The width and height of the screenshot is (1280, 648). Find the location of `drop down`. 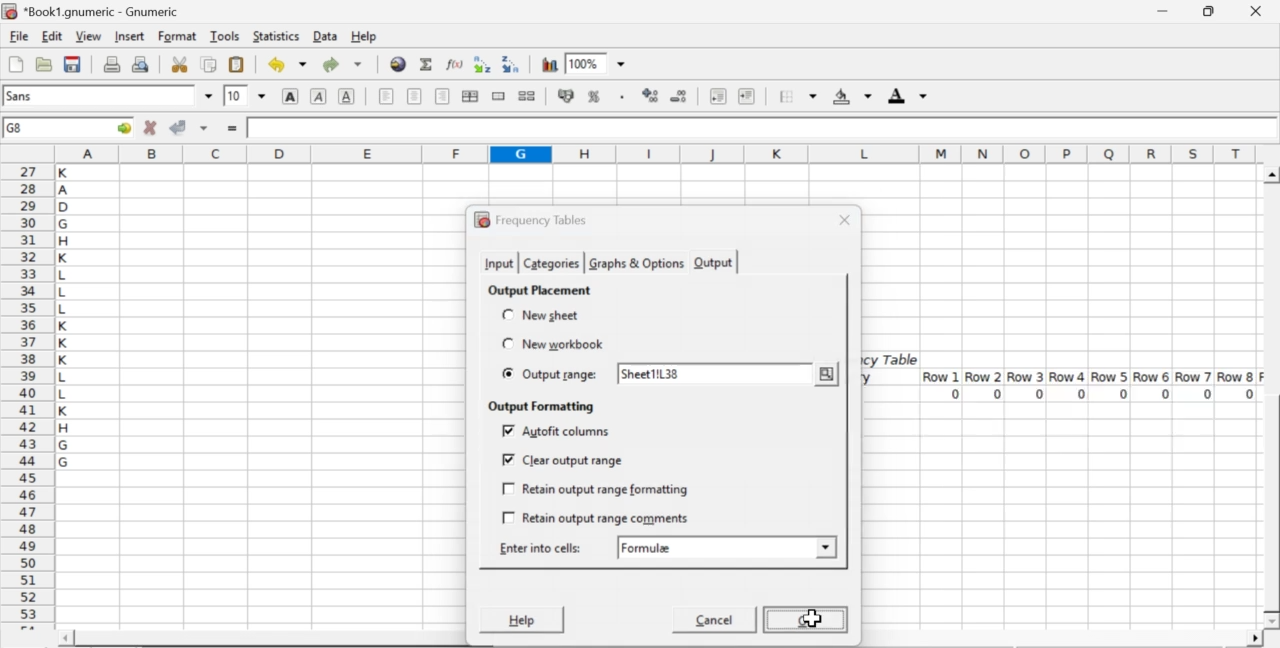

drop down is located at coordinates (210, 96).